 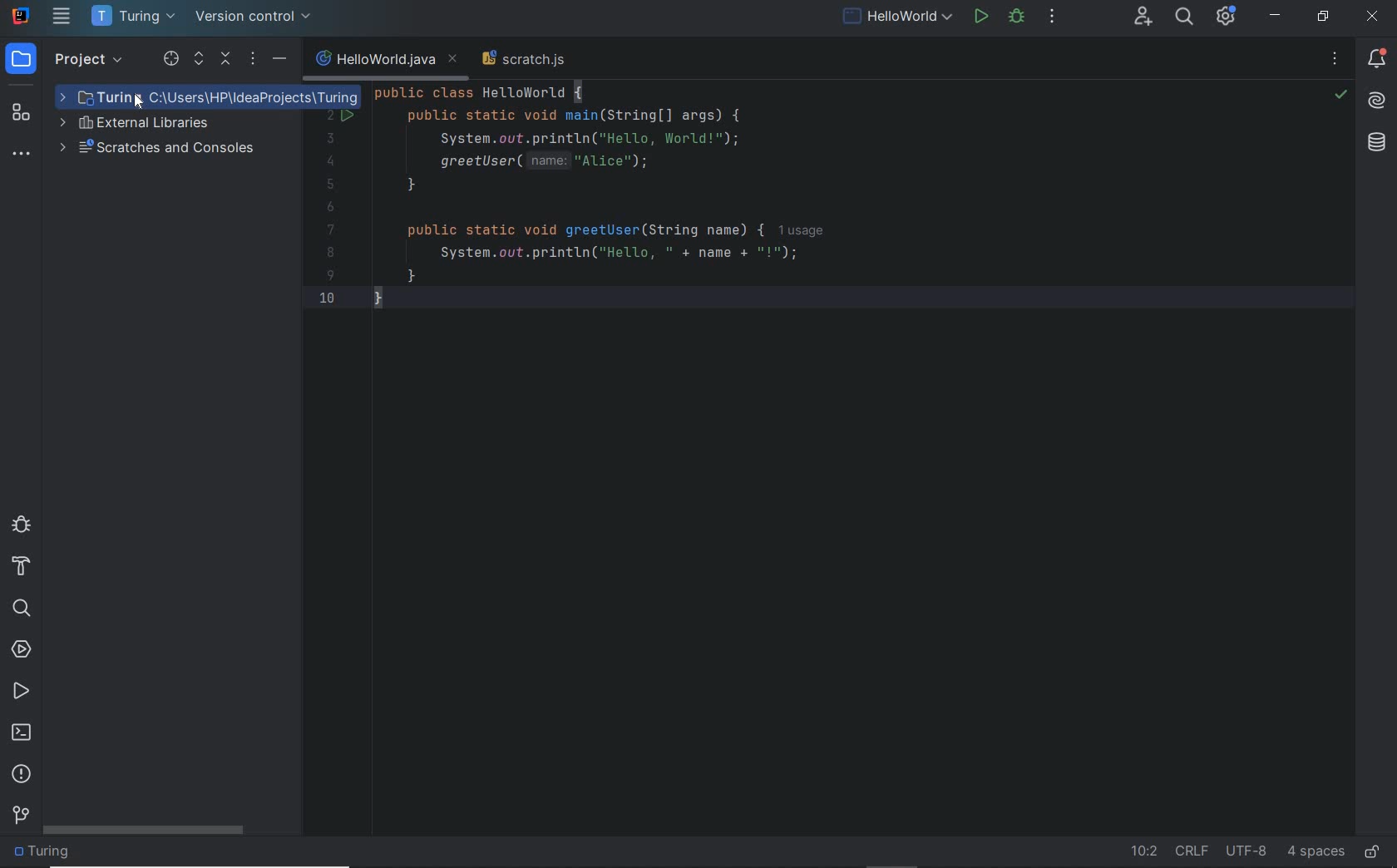 I want to click on Database, so click(x=1378, y=142).